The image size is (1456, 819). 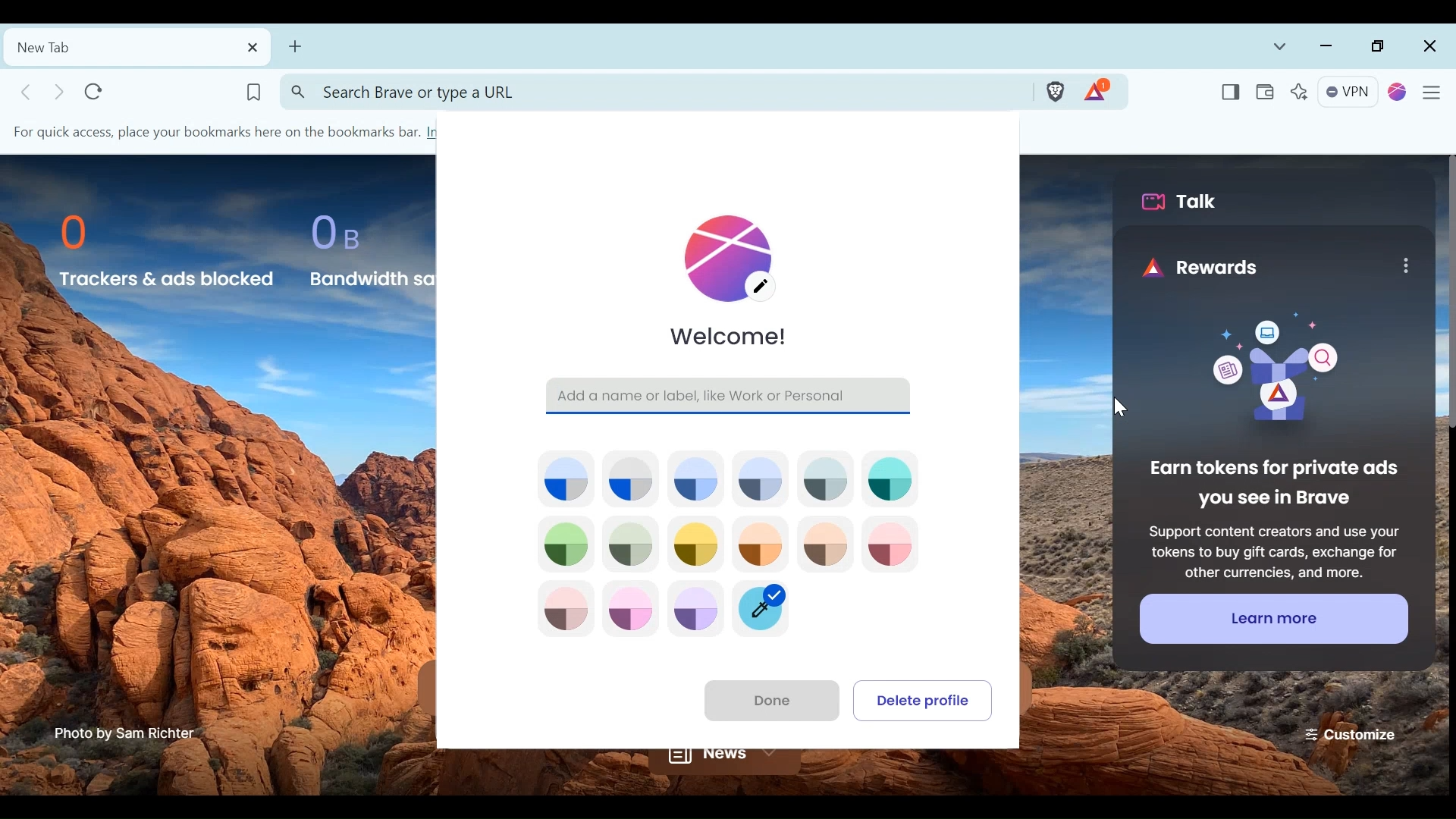 What do you see at coordinates (125, 734) in the screenshot?
I see `Photo by Sam Richter` at bounding box center [125, 734].